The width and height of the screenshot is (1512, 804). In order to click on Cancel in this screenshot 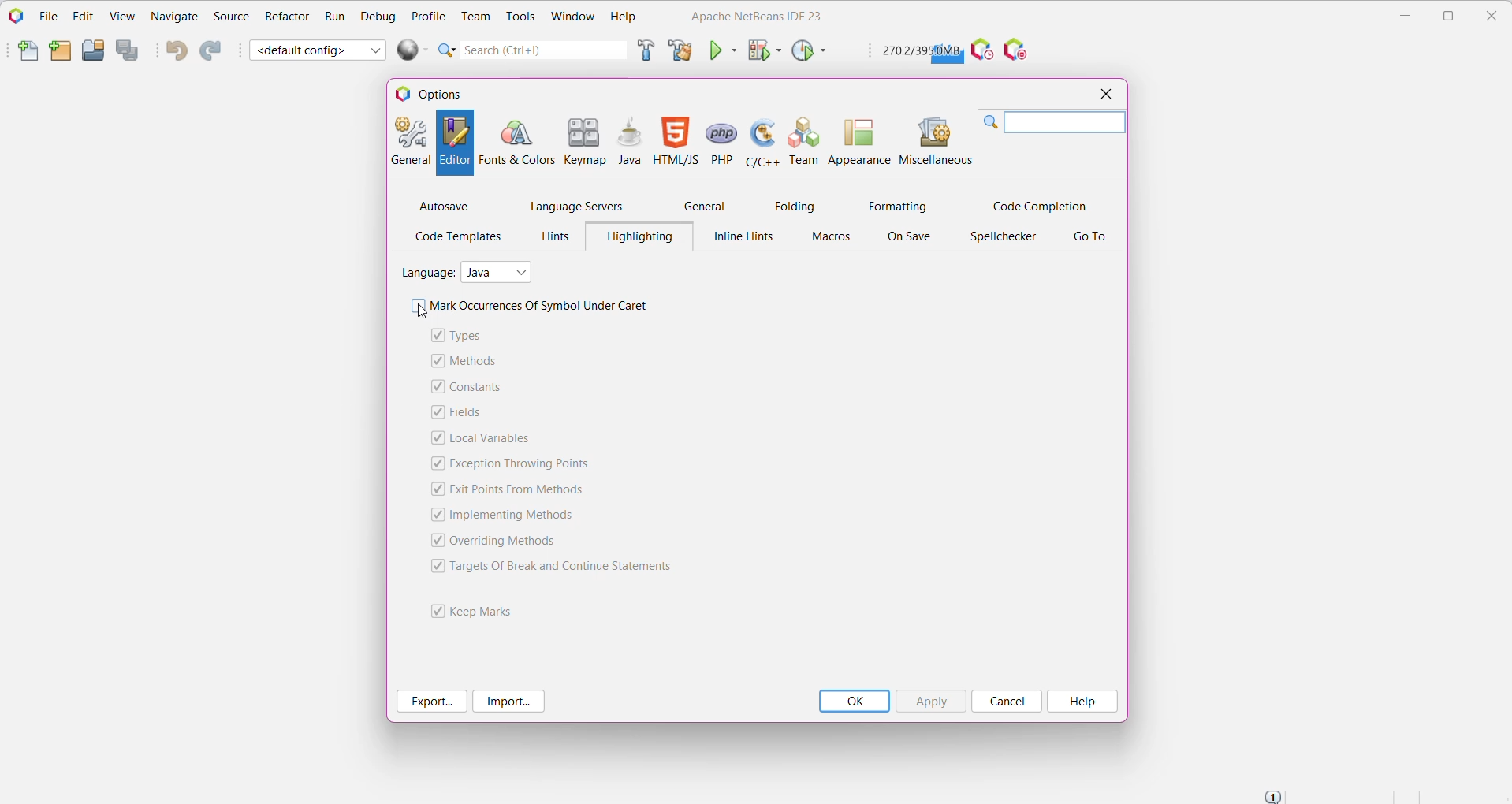, I will do `click(1007, 702)`.